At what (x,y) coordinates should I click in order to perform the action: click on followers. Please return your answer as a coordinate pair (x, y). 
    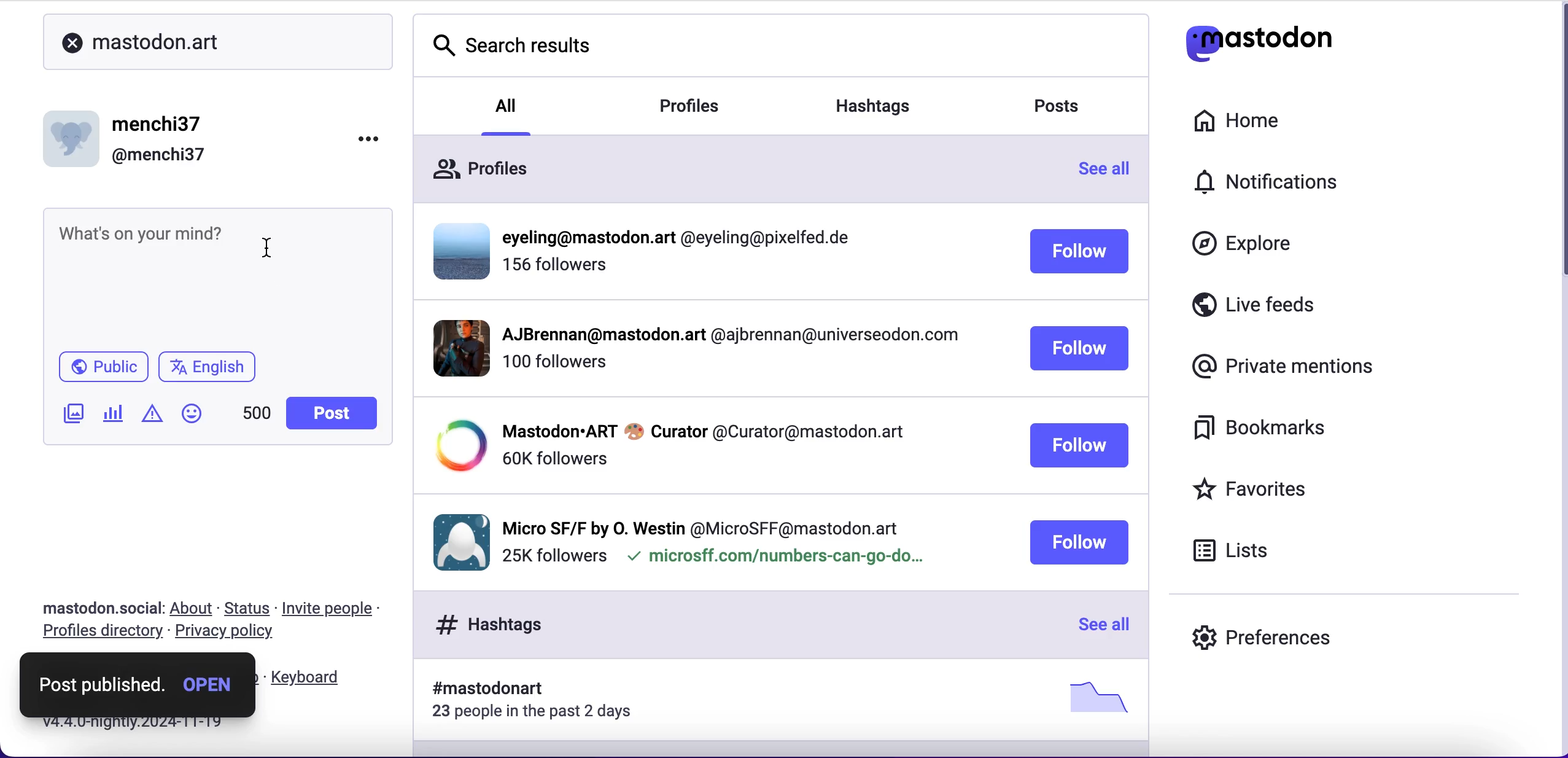
    Looking at the image, I should click on (554, 368).